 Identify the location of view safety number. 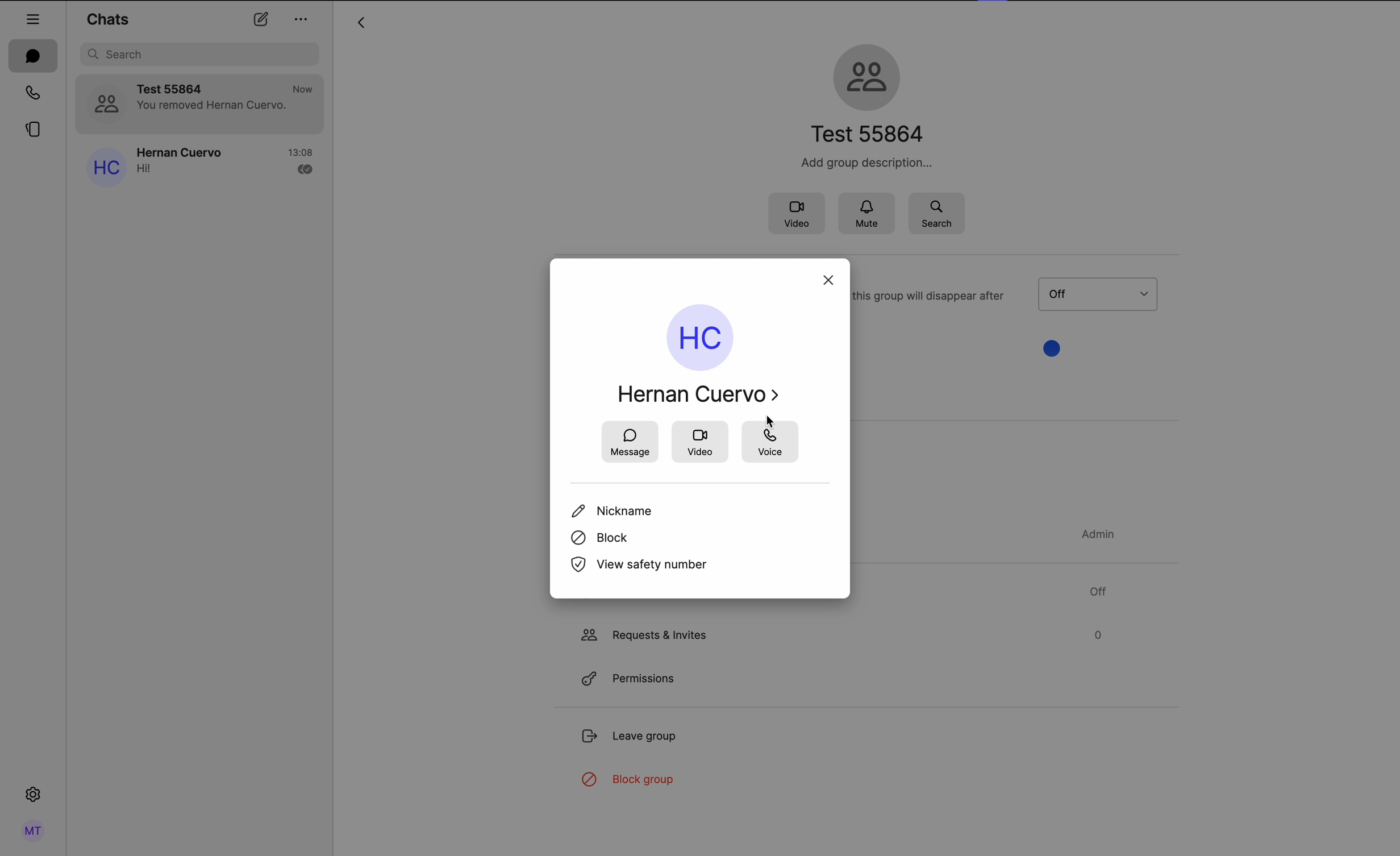
(637, 566).